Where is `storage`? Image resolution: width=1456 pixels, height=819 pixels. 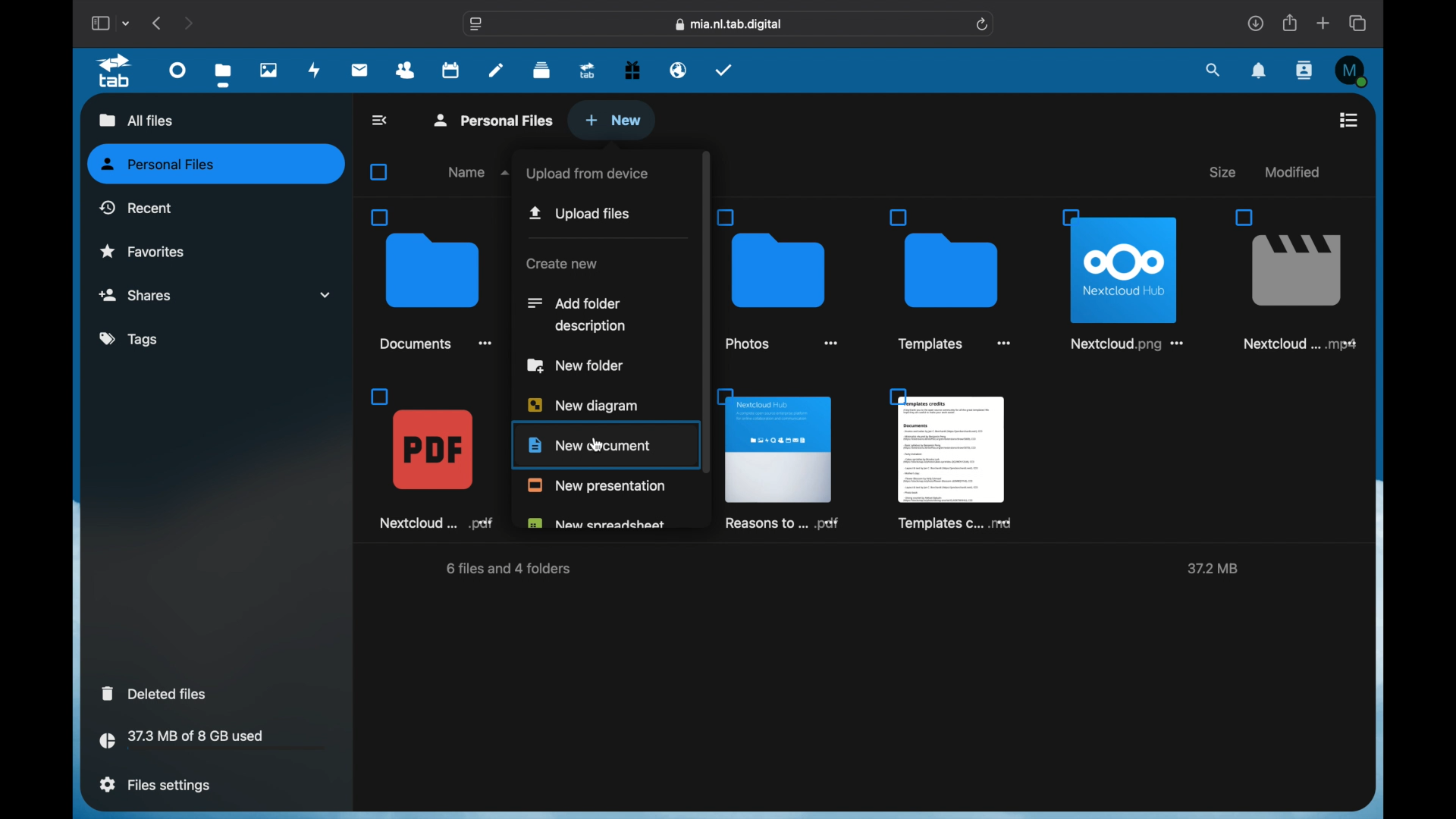
storage is located at coordinates (212, 742).